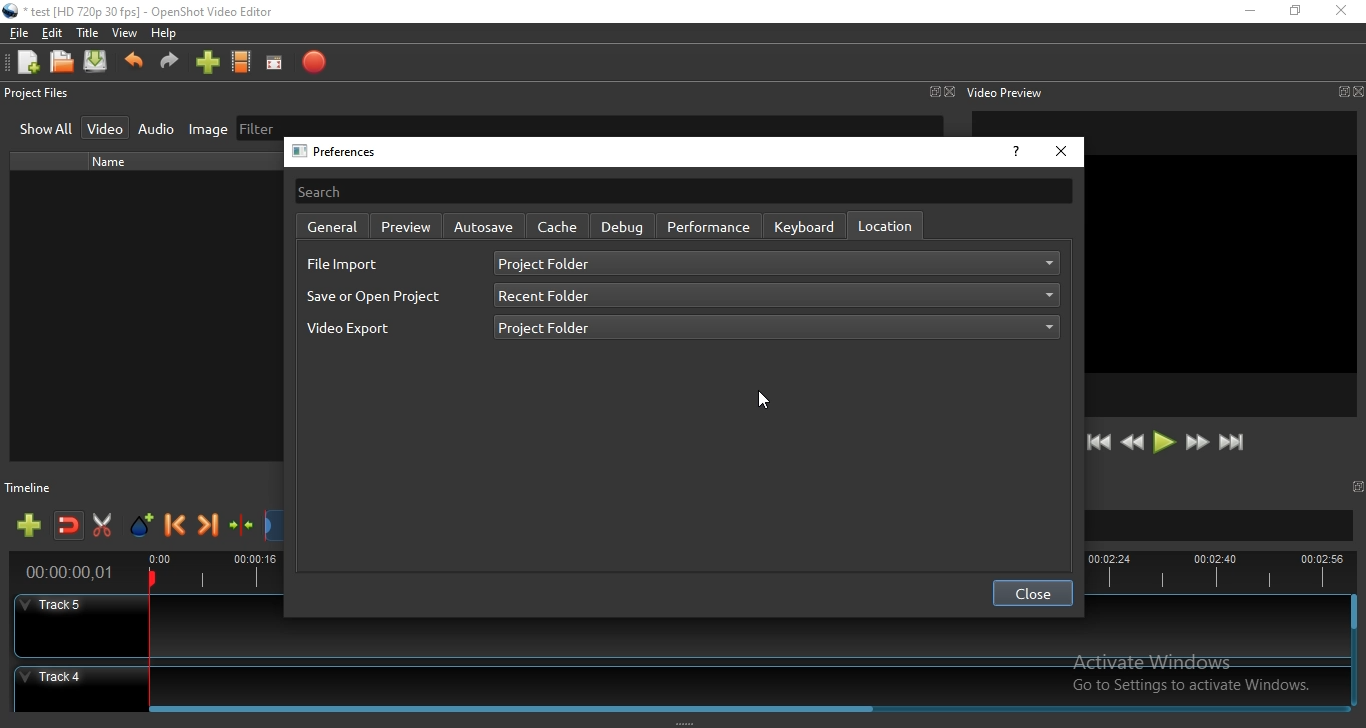  Describe the element at coordinates (69, 527) in the screenshot. I see `Disable snapping` at that location.